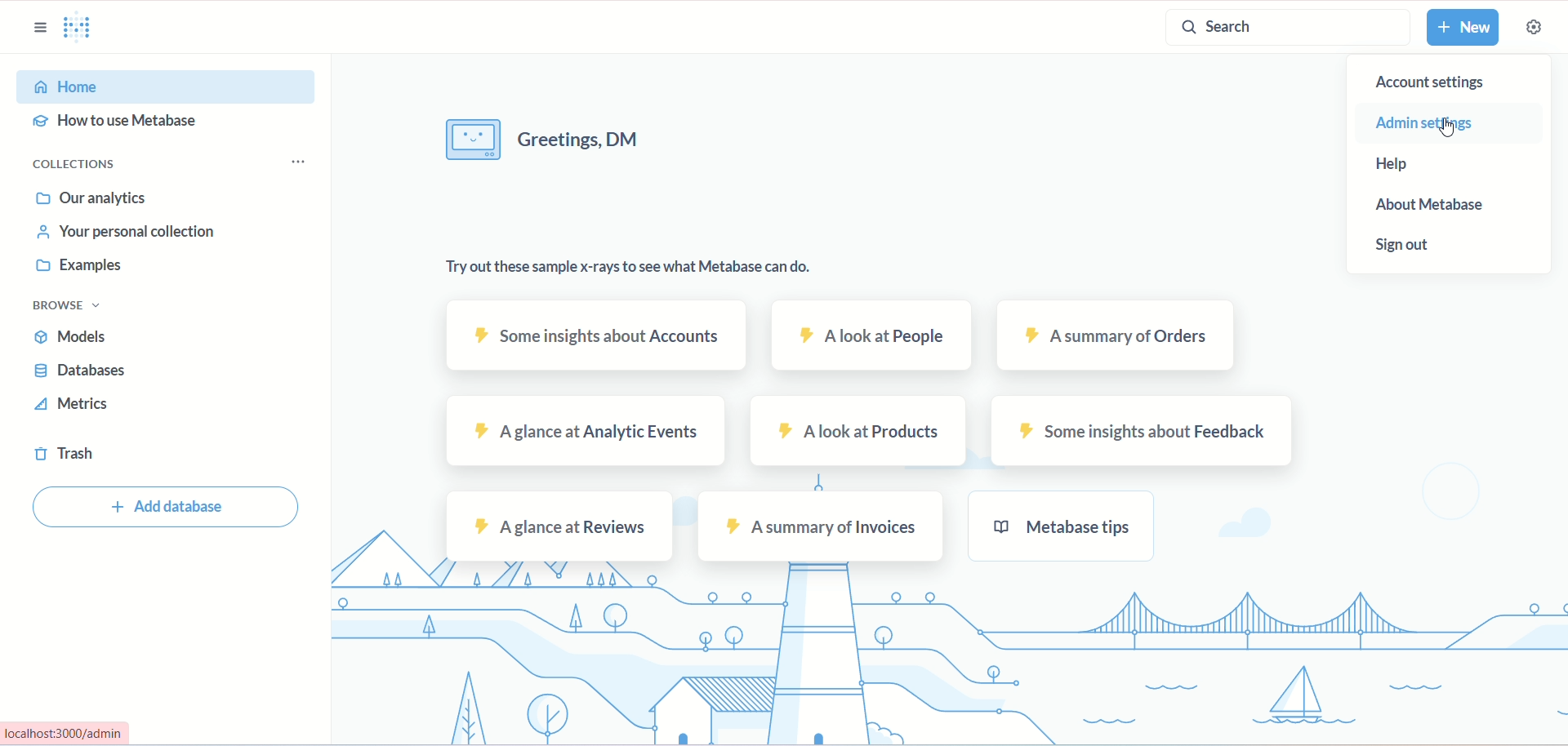 The height and width of the screenshot is (746, 1568). I want to click on examples, so click(84, 269).